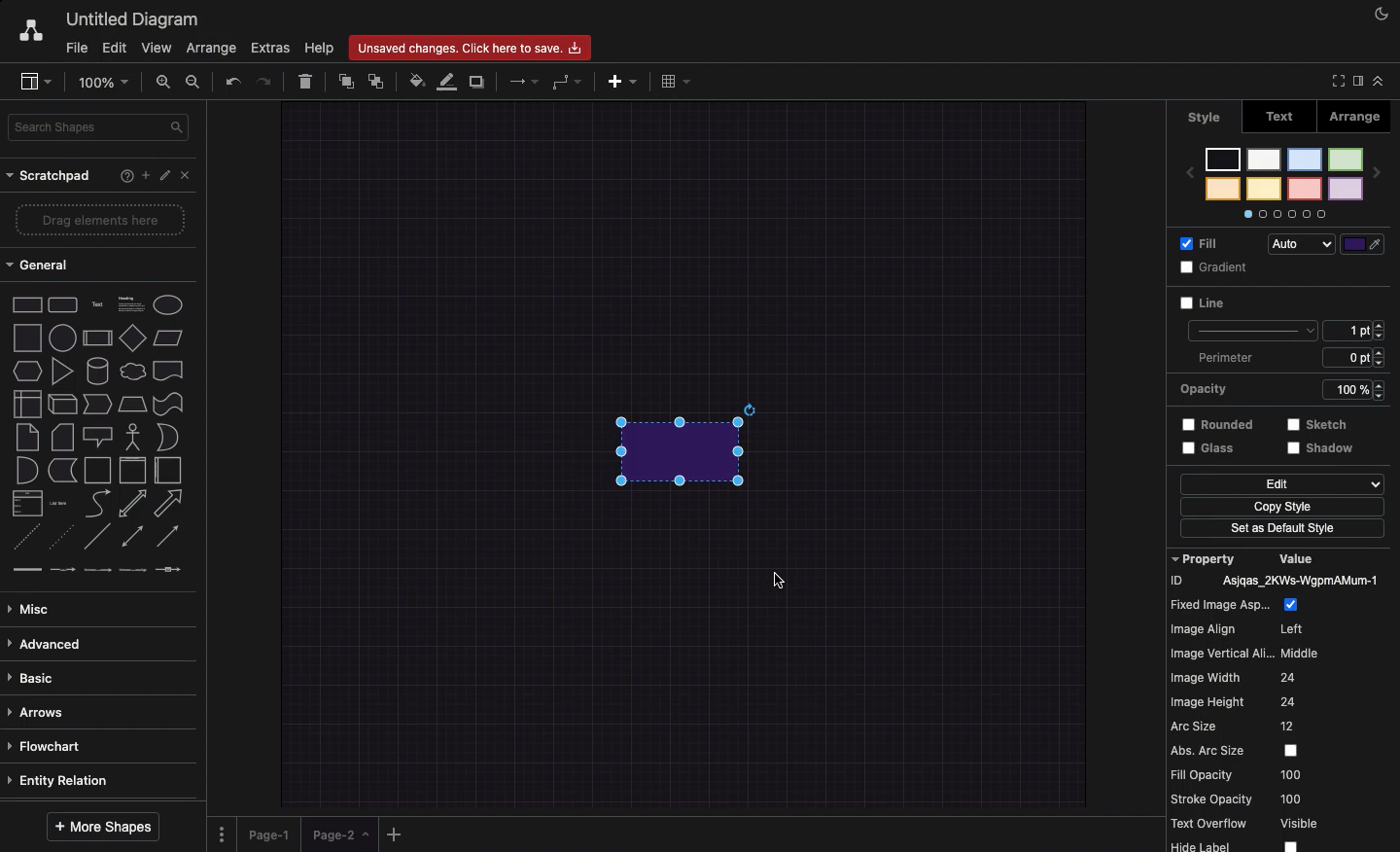  I want to click on Fill color, so click(419, 79).